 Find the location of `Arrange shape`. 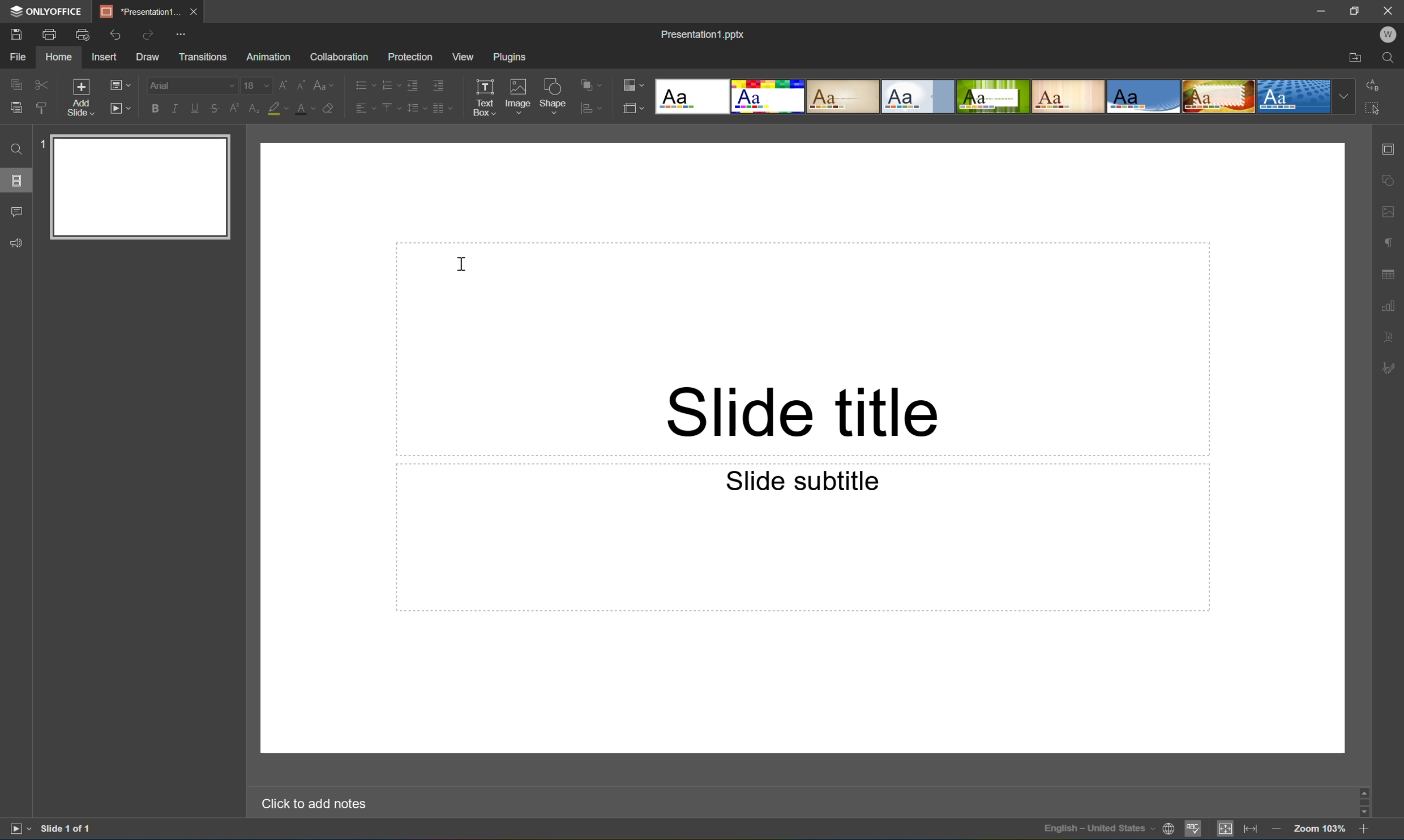

Arrange shape is located at coordinates (591, 82).